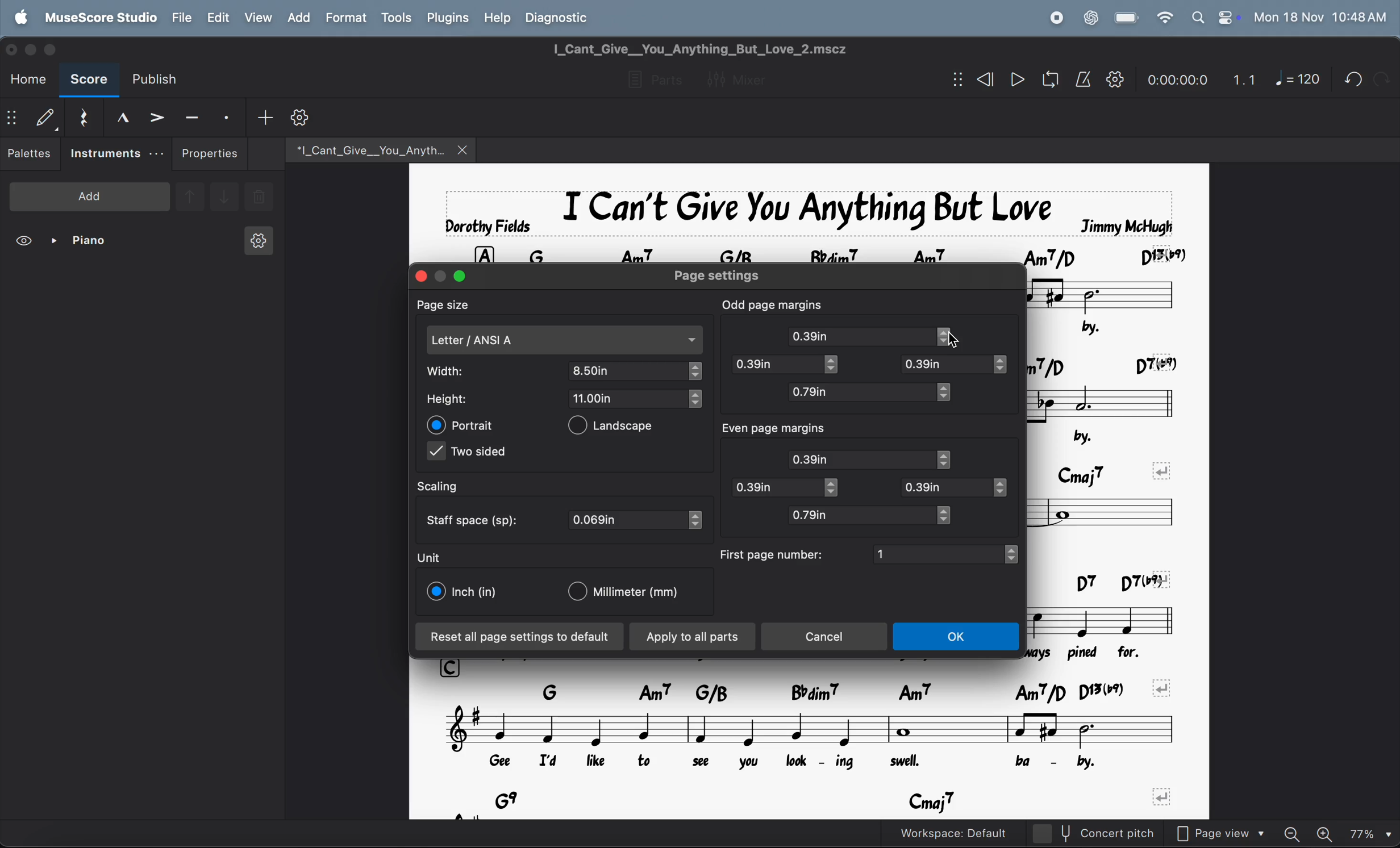 The width and height of the screenshot is (1400, 848). What do you see at coordinates (963, 342) in the screenshot?
I see `cursor` at bounding box center [963, 342].